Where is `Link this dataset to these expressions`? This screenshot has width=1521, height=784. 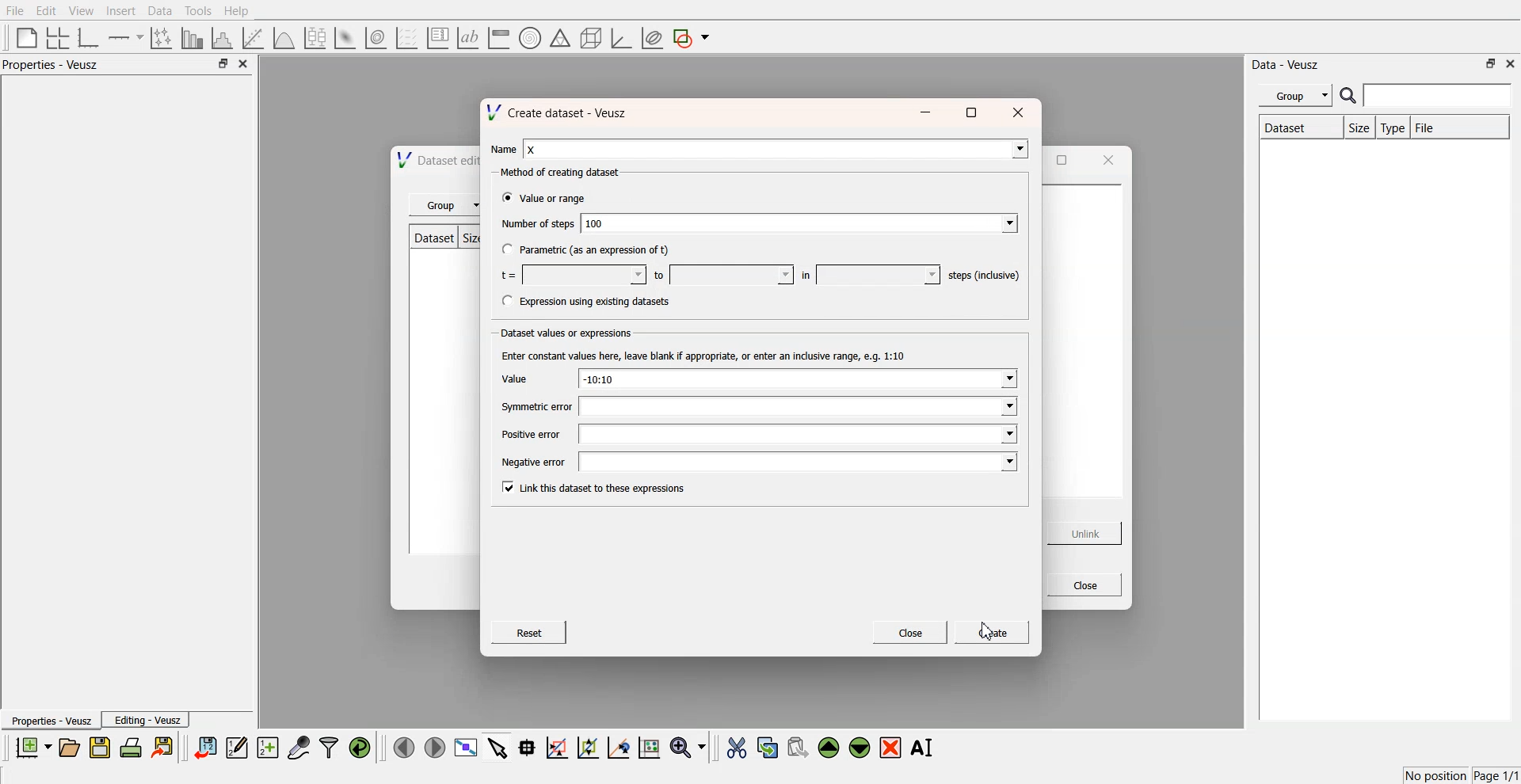 Link this dataset to these expressions is located at coordinates (600, 489).